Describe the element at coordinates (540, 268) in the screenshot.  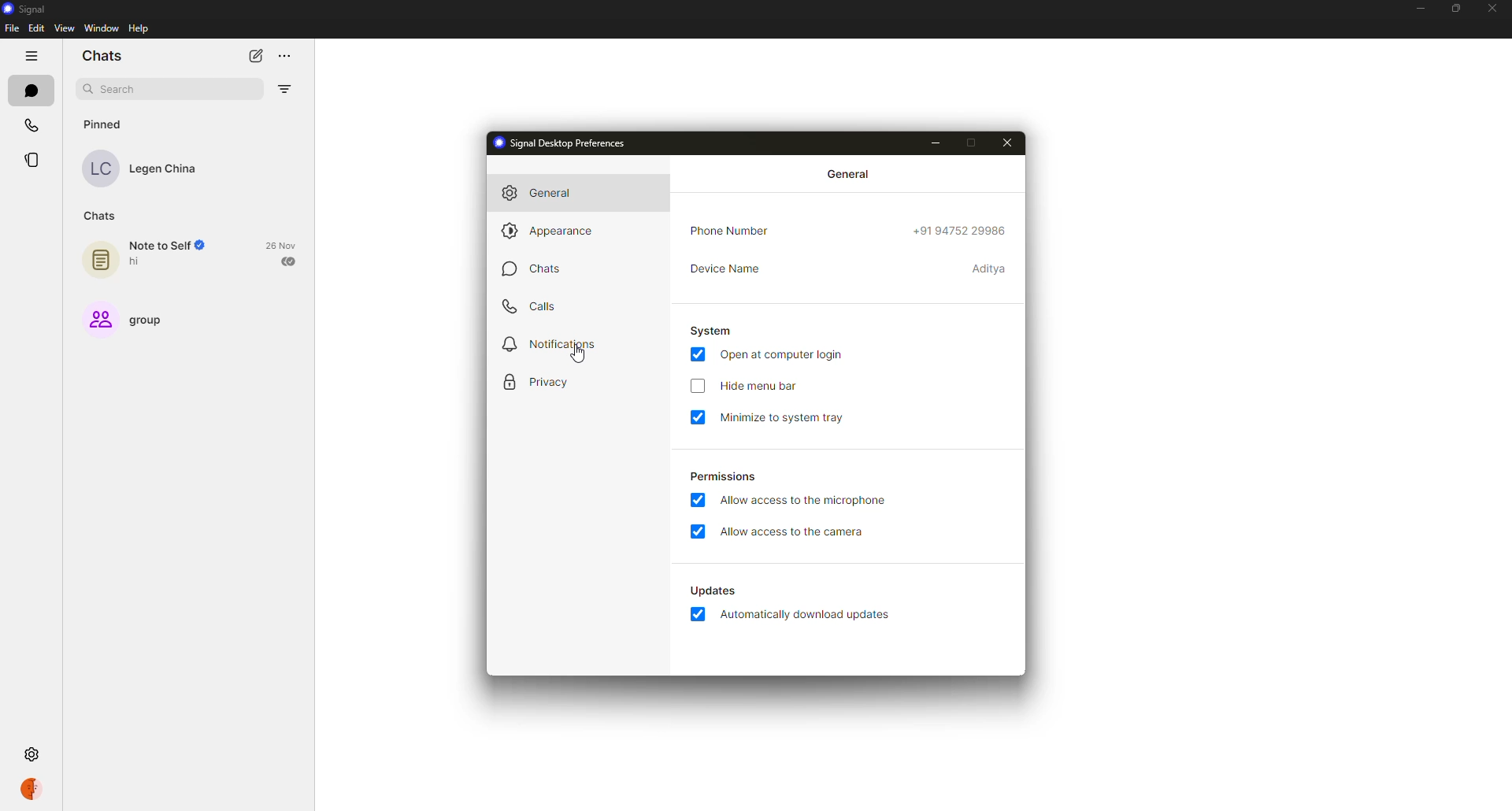
I see `chats` at that location.